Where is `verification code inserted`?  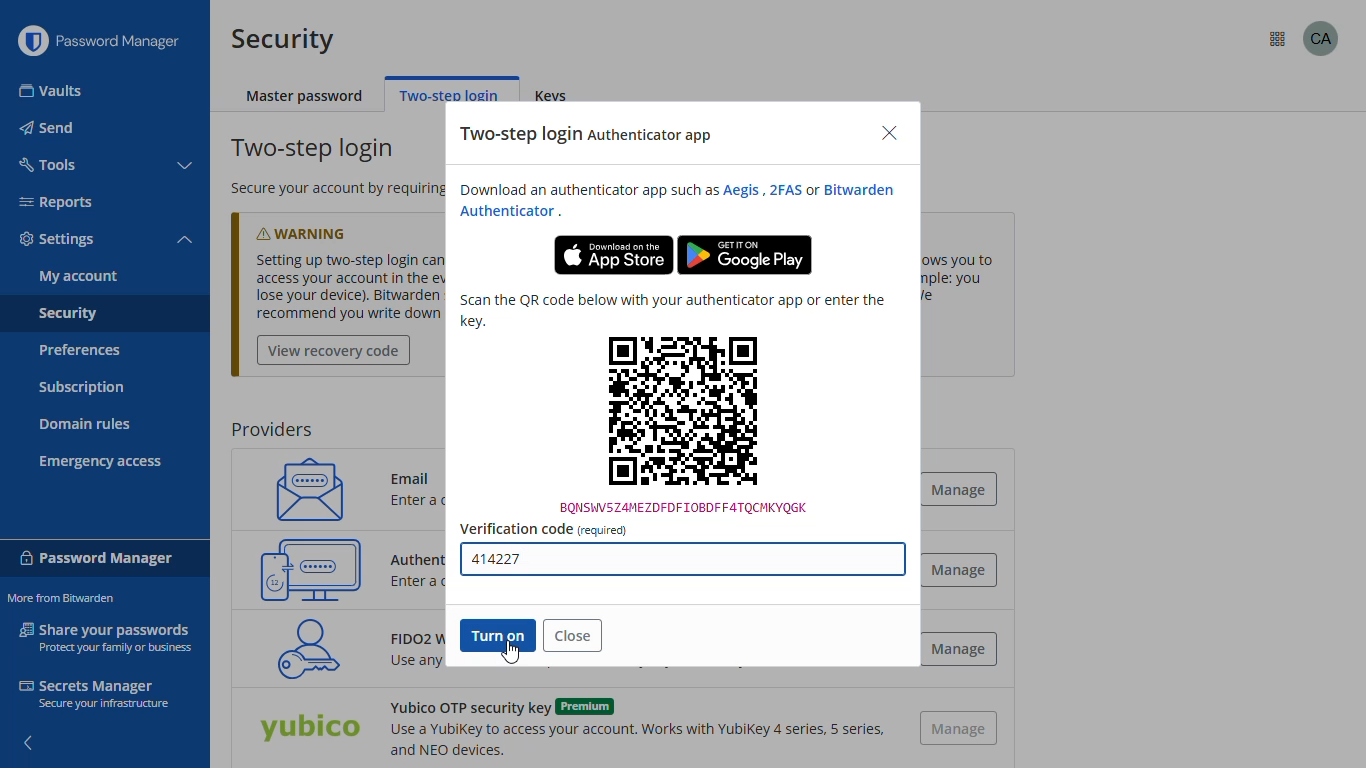
verification code inserted is located at coordinates (683, 562).